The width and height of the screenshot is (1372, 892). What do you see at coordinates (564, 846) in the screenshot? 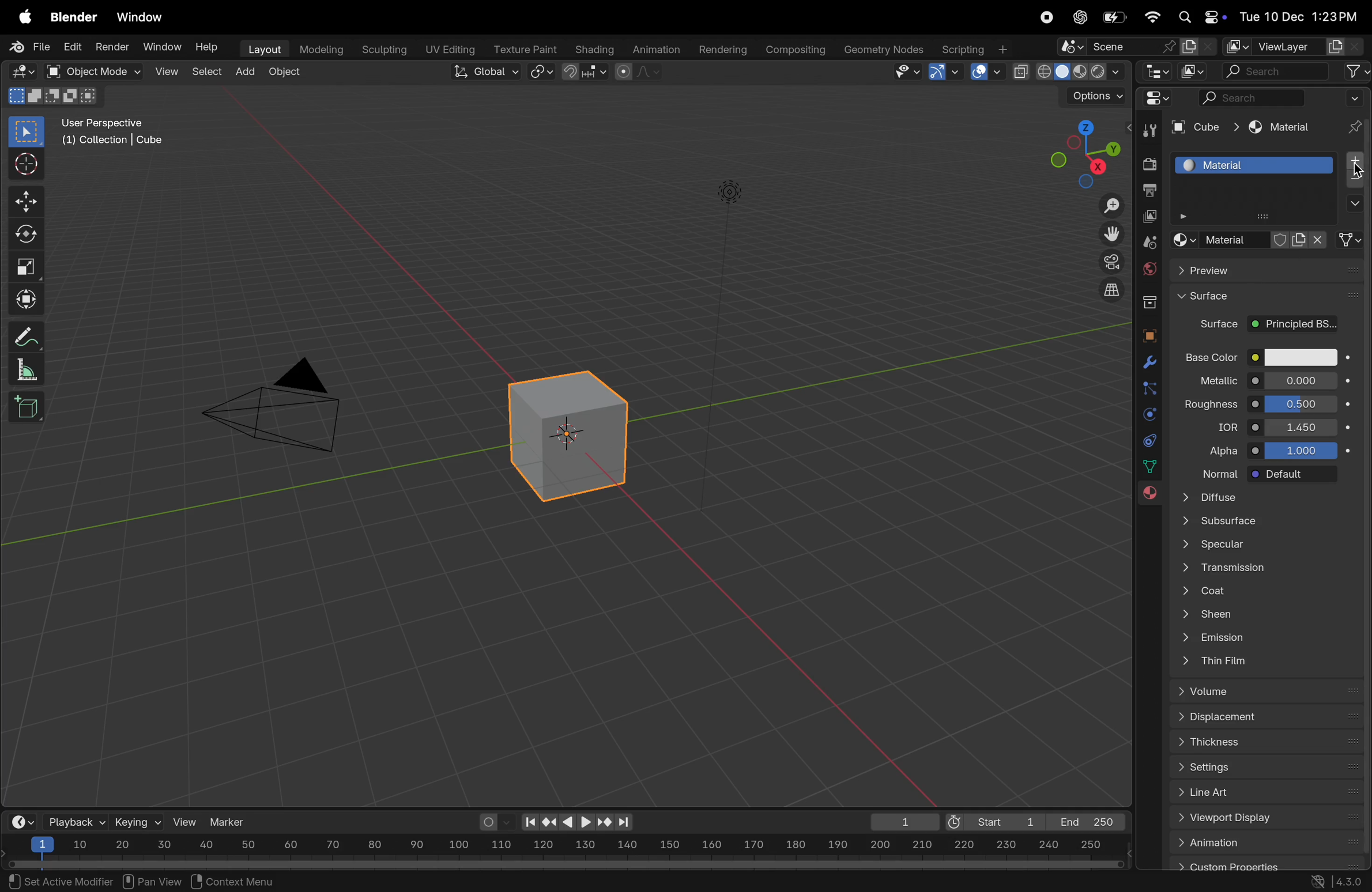
I see `scale` at bounding box center [564, 846].